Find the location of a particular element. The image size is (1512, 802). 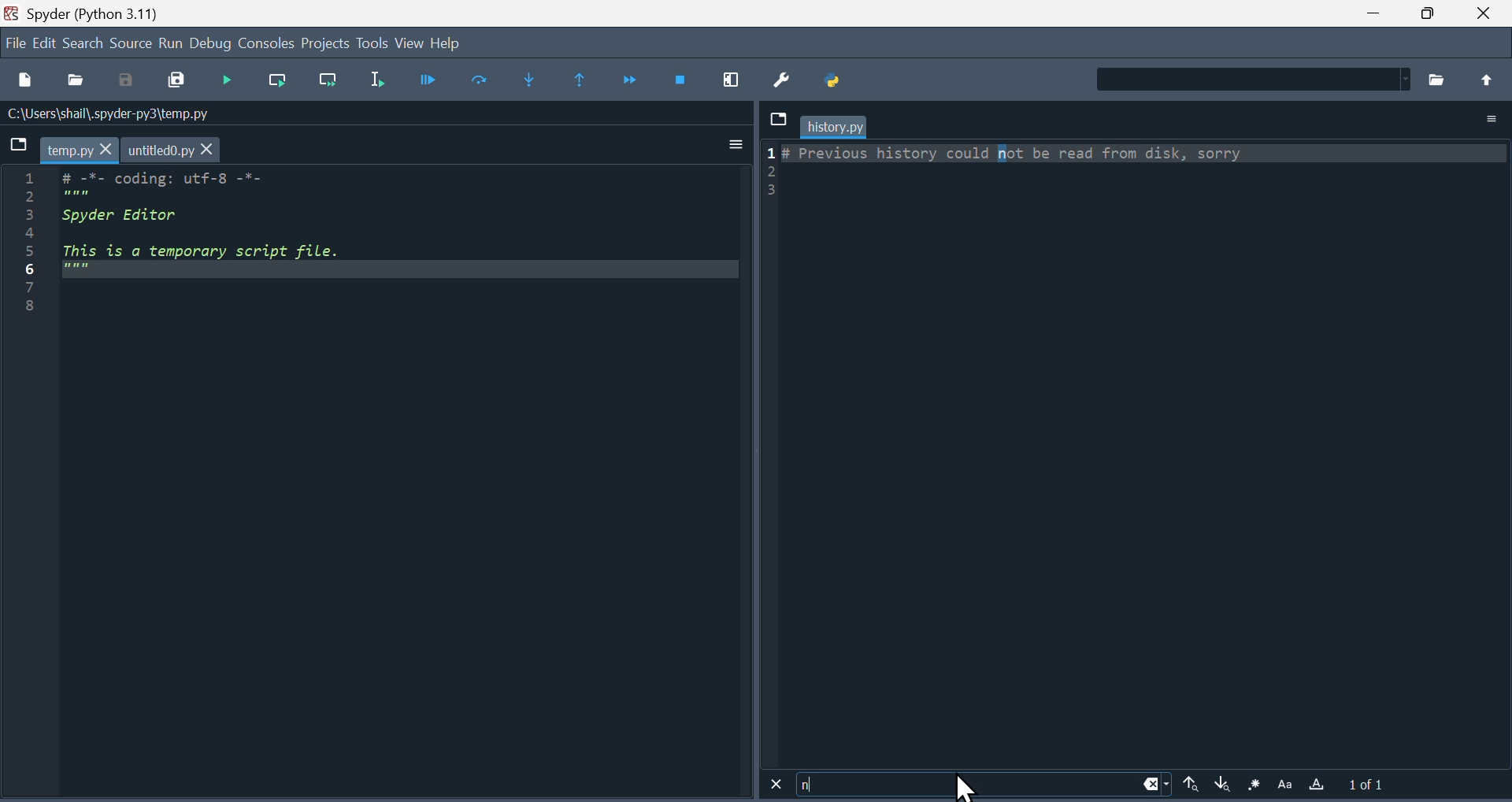

Search character count is located at coordinates (1378, 786).